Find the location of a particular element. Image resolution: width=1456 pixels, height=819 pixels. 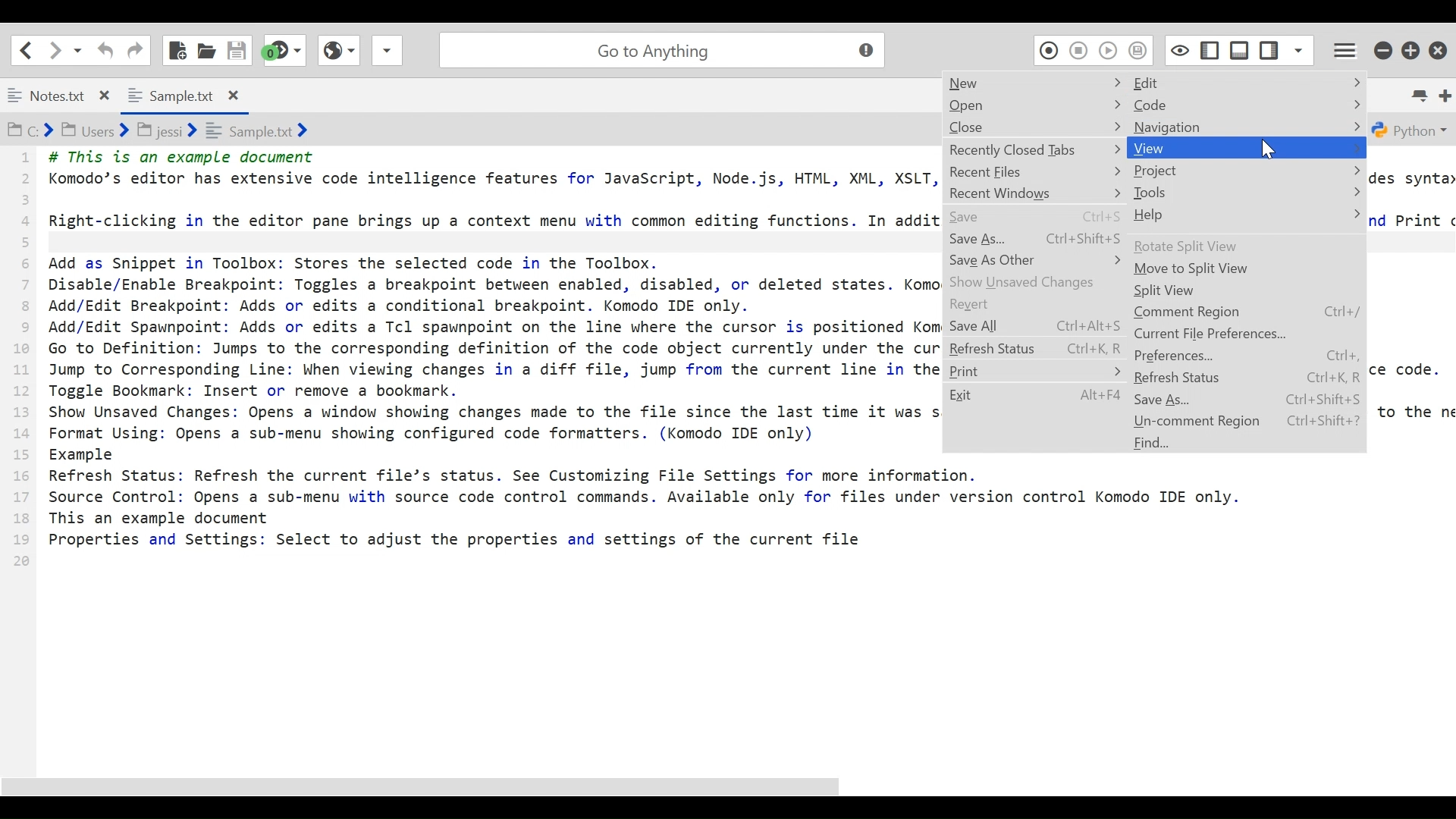

Print is located at coordinates (1037, 371).